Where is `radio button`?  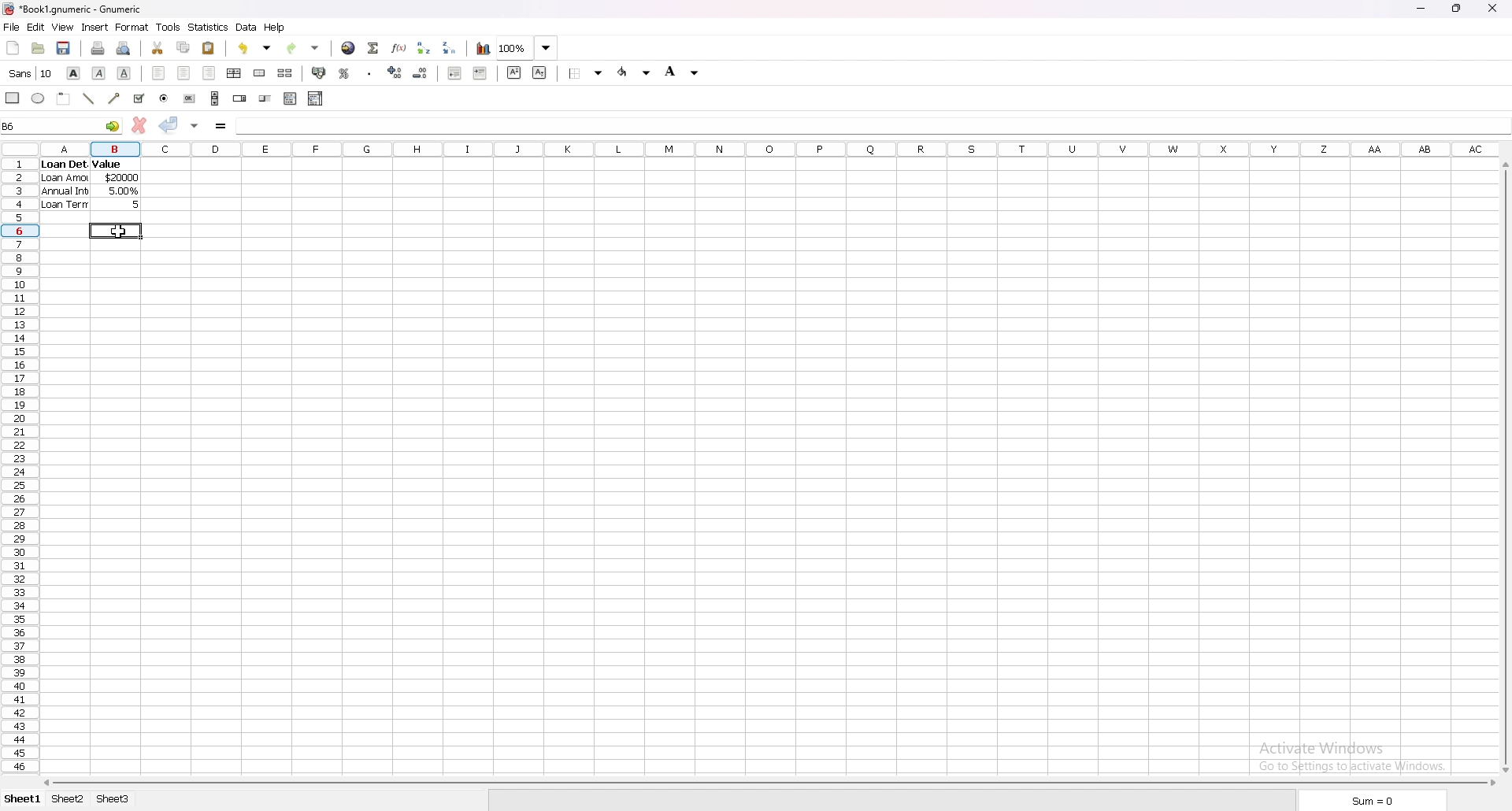 radio button is located at coordinates (165, 98).